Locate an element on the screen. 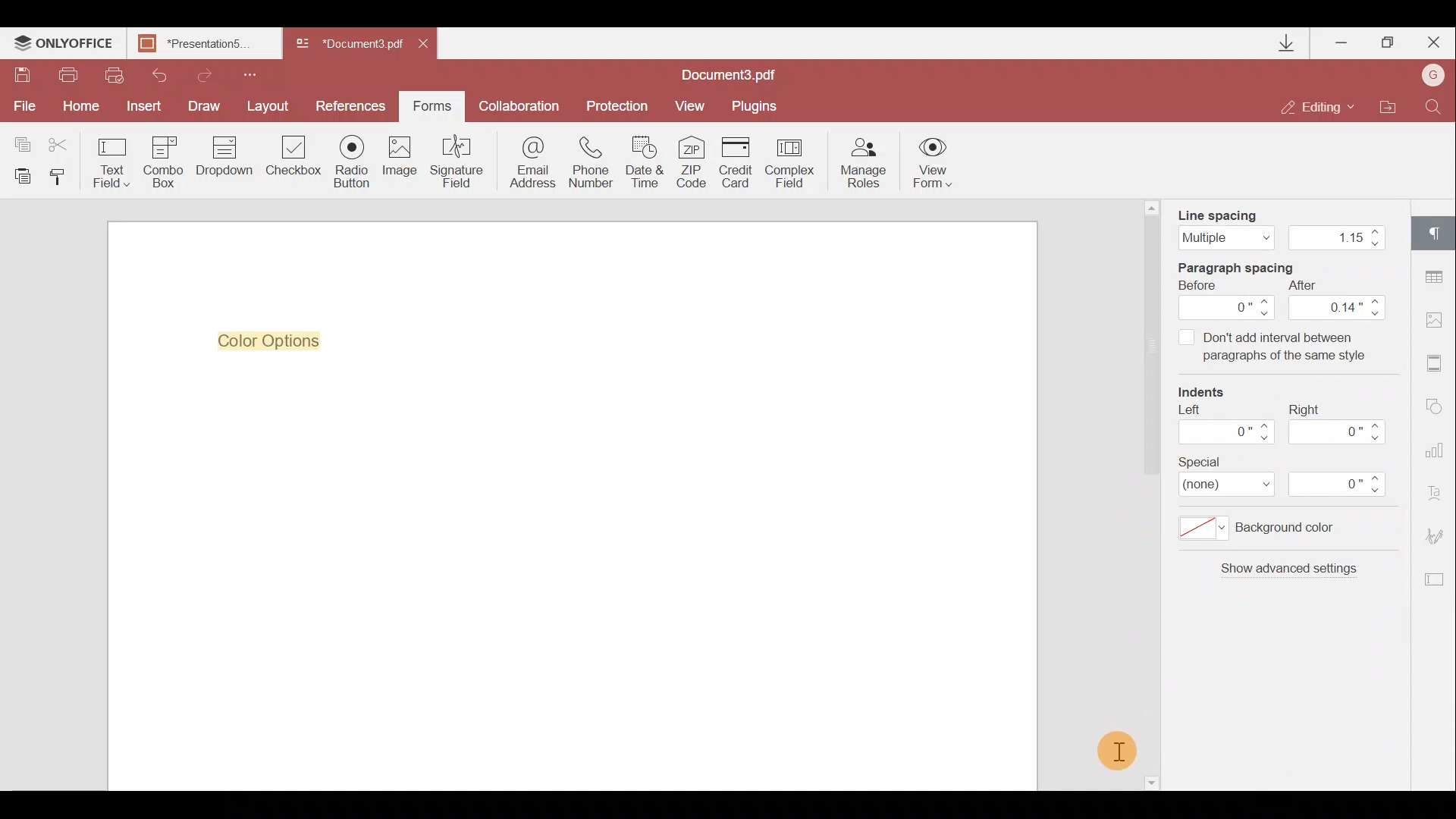 This screenshot has width=1456, height=819. Document name is located at coordinates (209, 45).